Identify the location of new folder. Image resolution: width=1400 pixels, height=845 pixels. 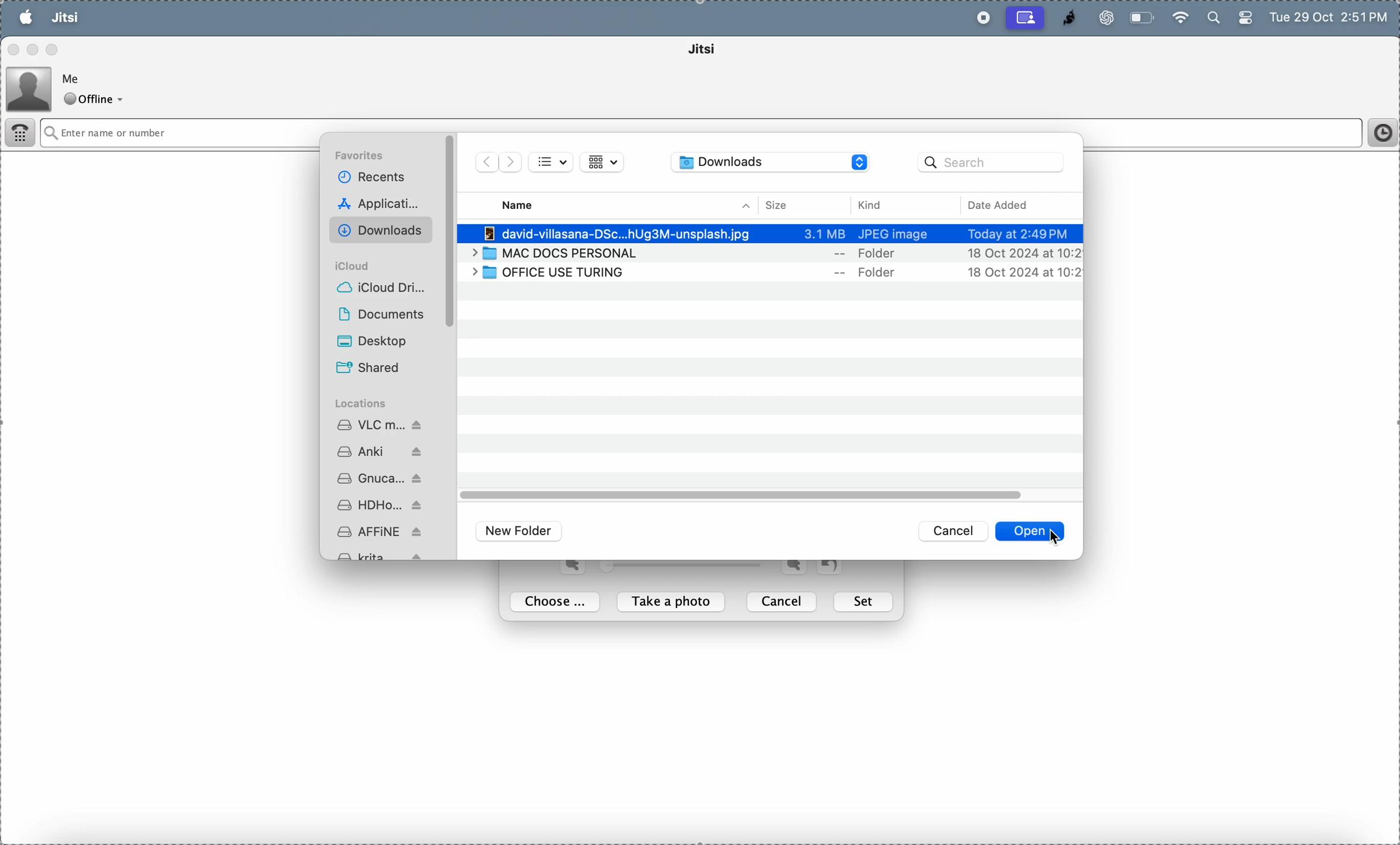
(522, 531).